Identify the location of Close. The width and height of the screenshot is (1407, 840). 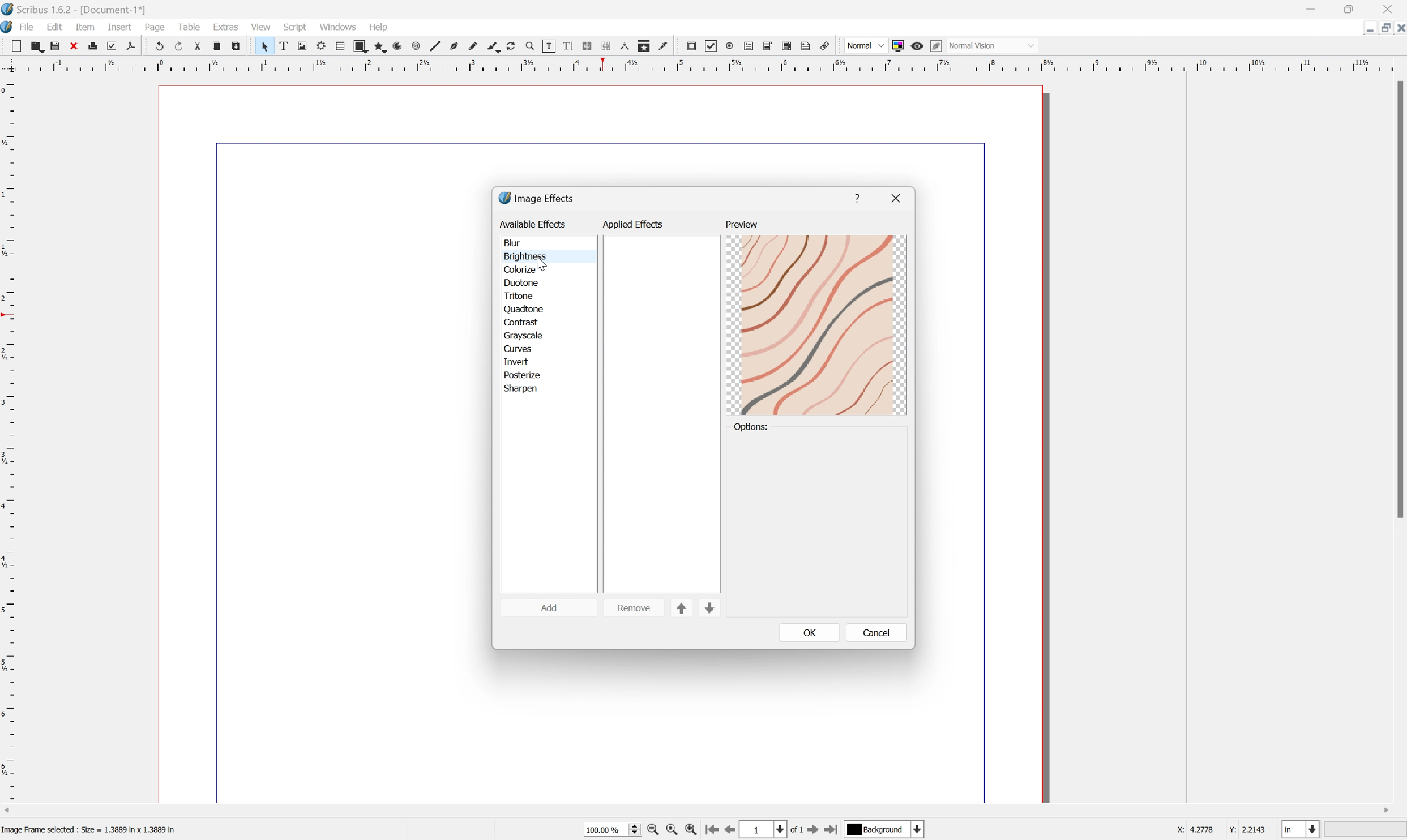
(1398, 29).